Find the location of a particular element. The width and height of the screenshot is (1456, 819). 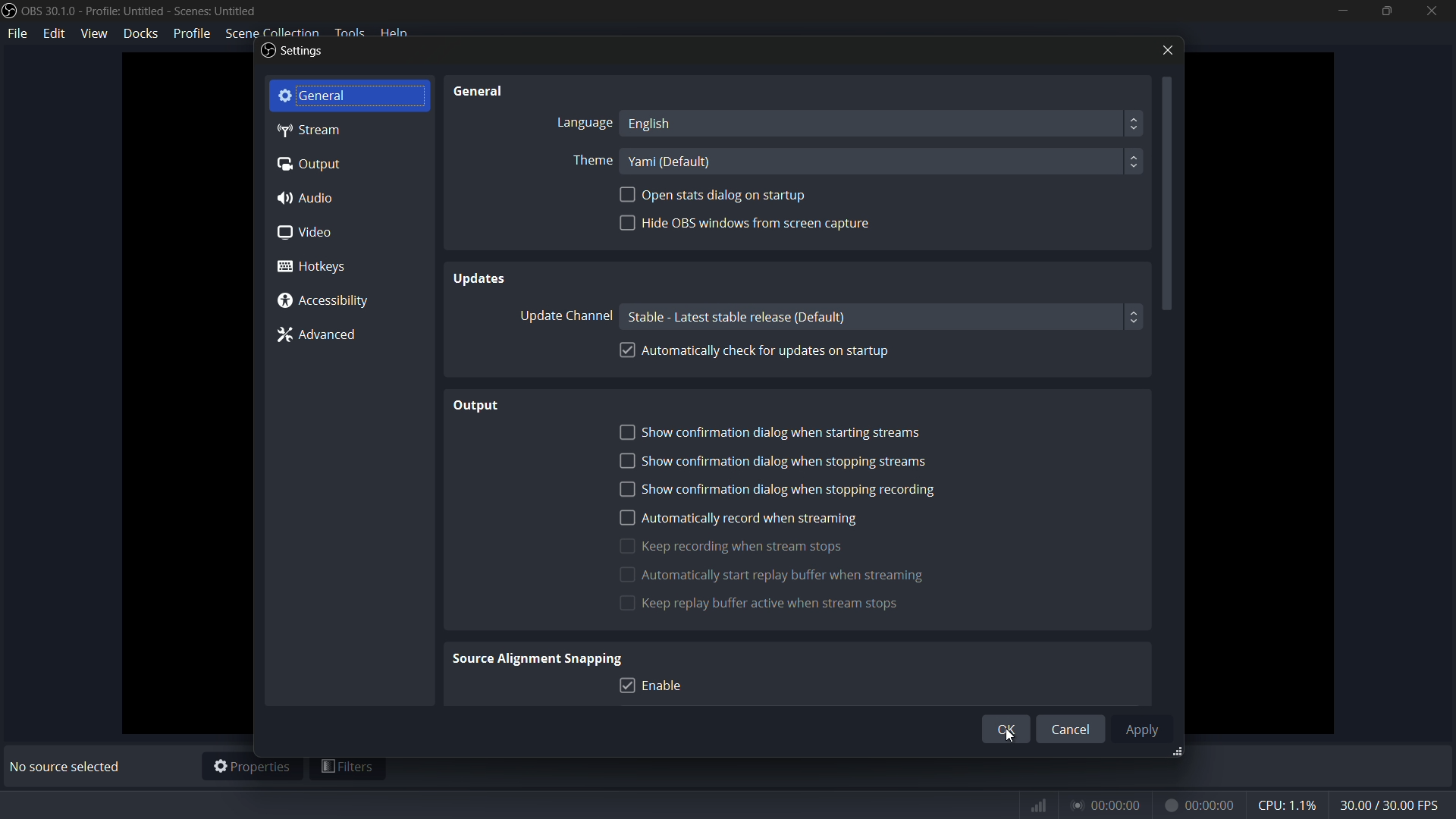

Keep replay buffer active when stream stops is located at coordinates (818, 603).